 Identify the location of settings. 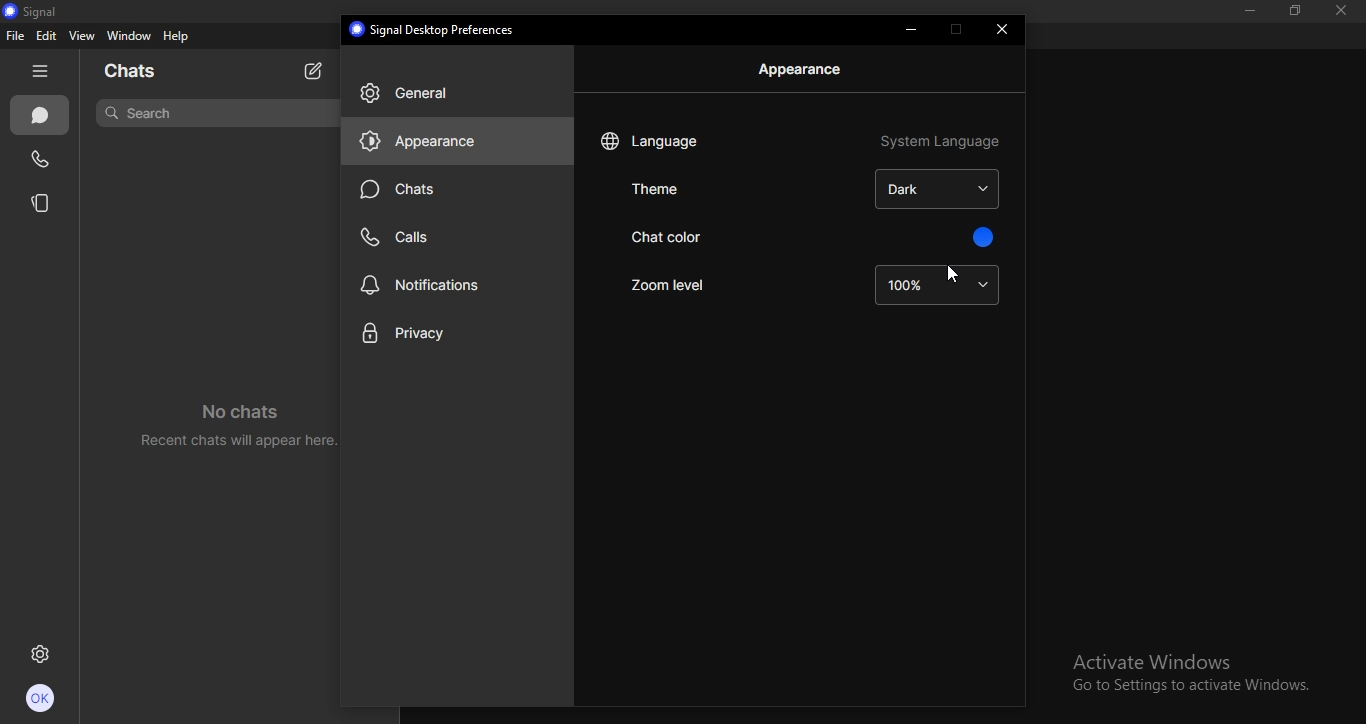
(41, 656).